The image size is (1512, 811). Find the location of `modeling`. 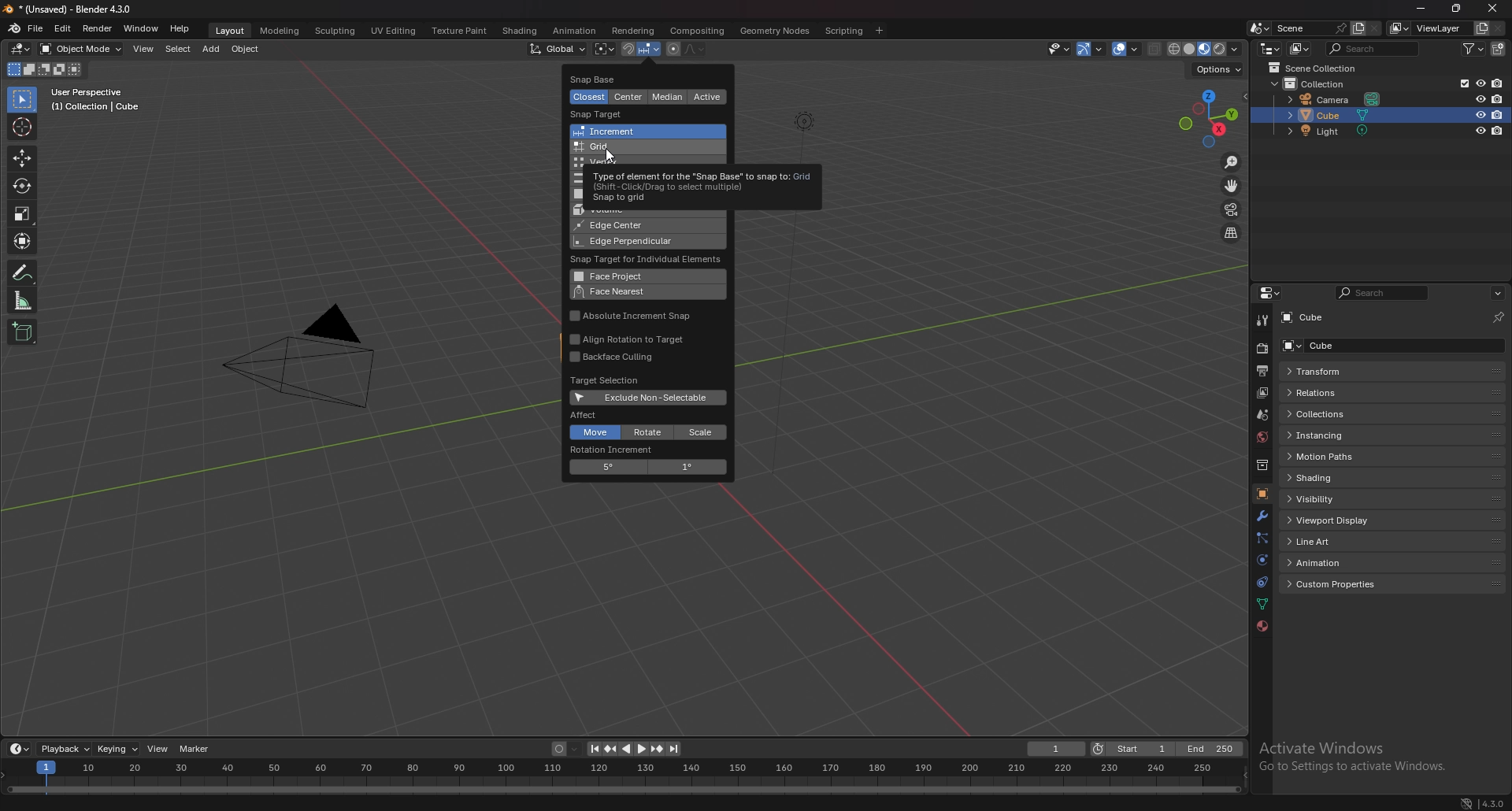

modeling is located at coordinates (280, 30).